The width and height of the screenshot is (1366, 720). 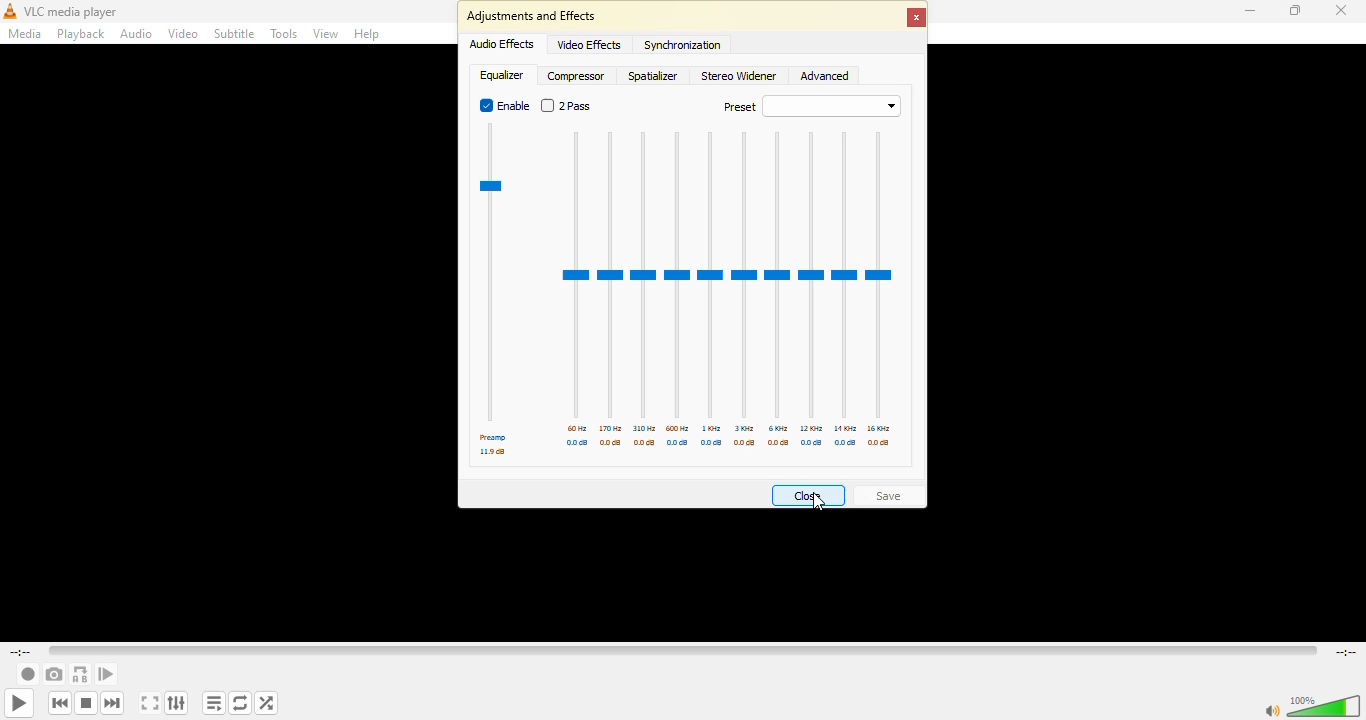 I want to click on save, so click(x=899, y=496).